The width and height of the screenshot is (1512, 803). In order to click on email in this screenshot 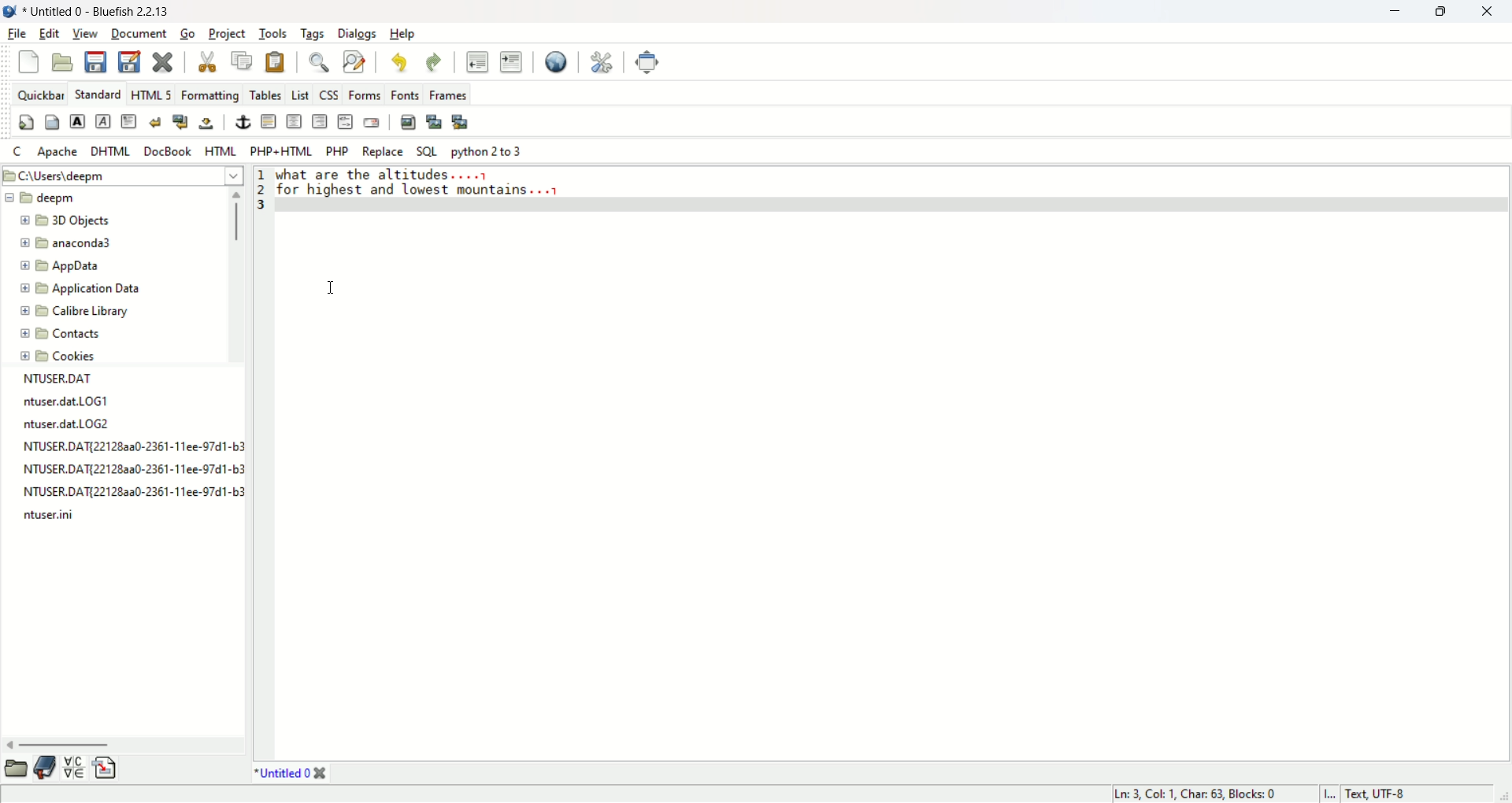, I will do `click(373, 122)`.